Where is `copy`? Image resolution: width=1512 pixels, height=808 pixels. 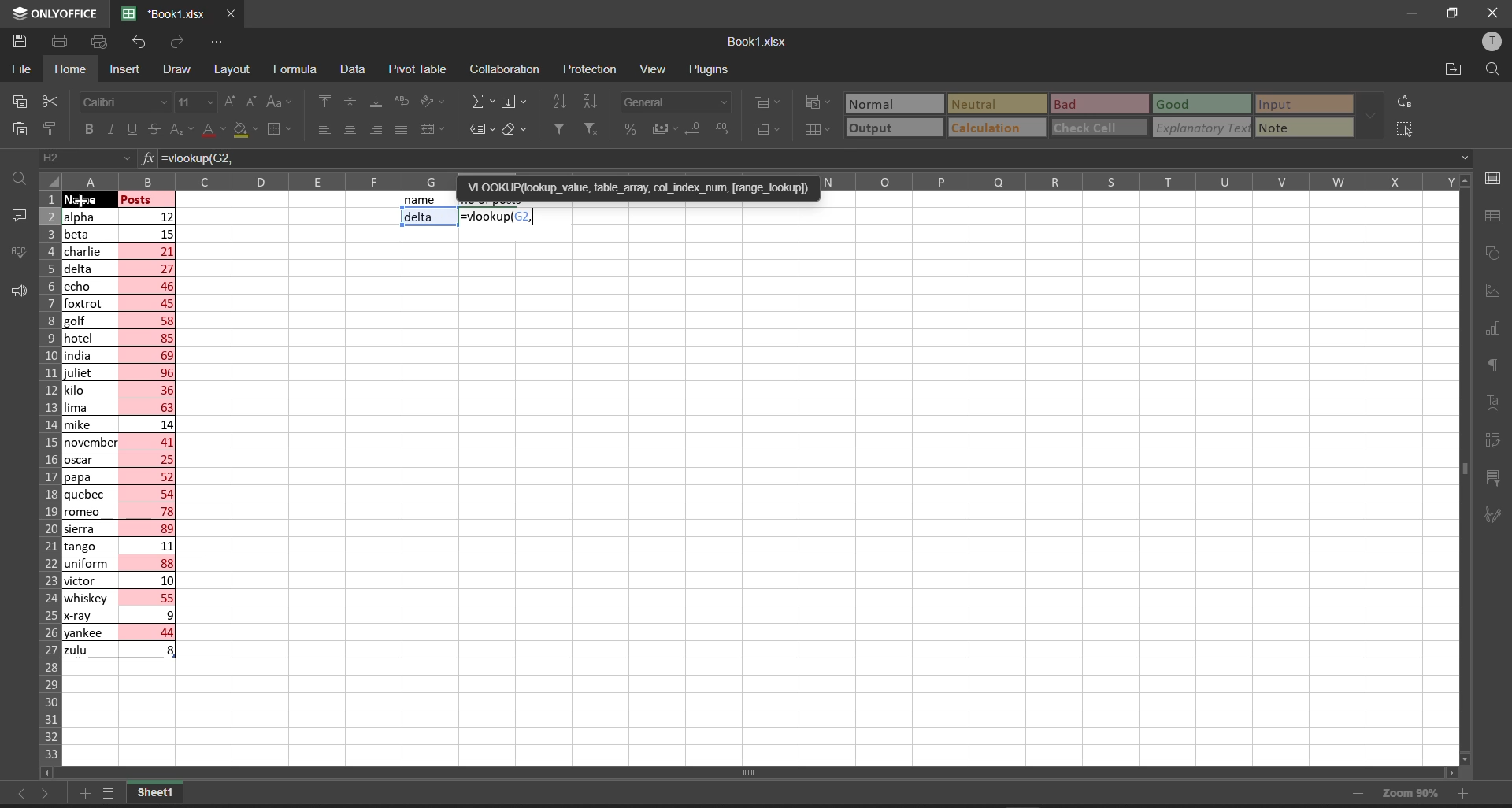
copy is located at coordinates (16, 101).